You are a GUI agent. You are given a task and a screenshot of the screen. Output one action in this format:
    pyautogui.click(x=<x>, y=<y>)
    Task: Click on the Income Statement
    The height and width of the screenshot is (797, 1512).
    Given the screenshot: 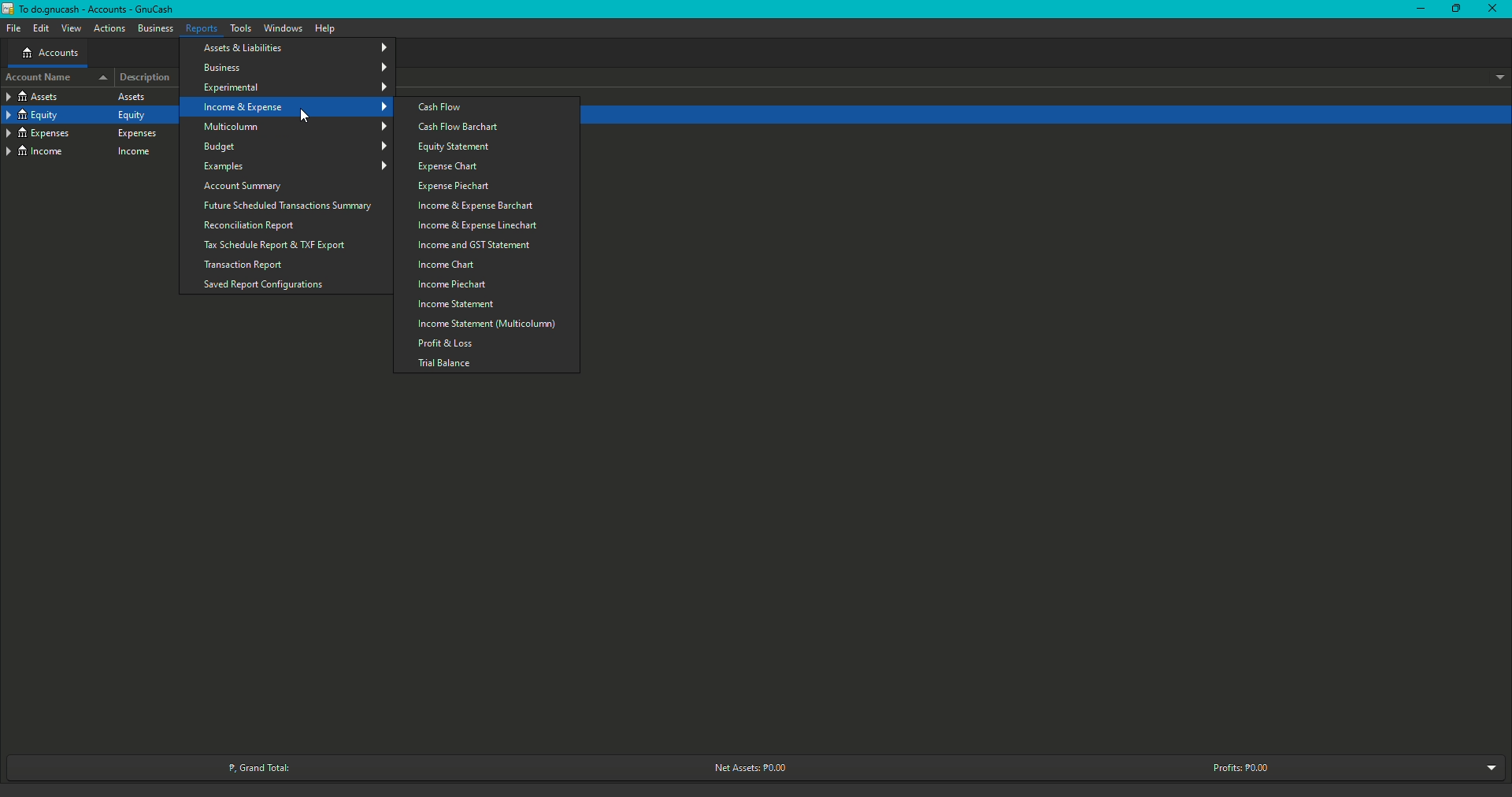 What is the action you would take?
    pyautogui.click(x=458, y=306)
    